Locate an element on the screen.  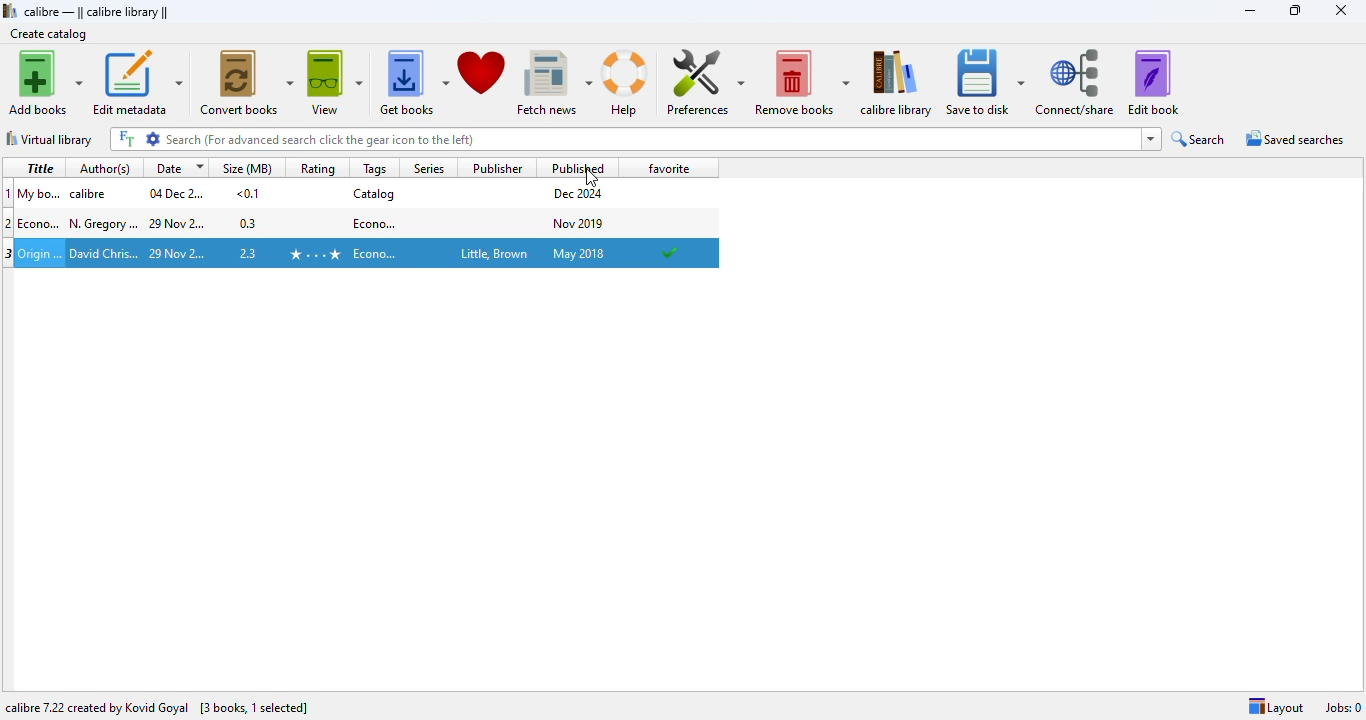
settings is located at coordinates (154, 138).